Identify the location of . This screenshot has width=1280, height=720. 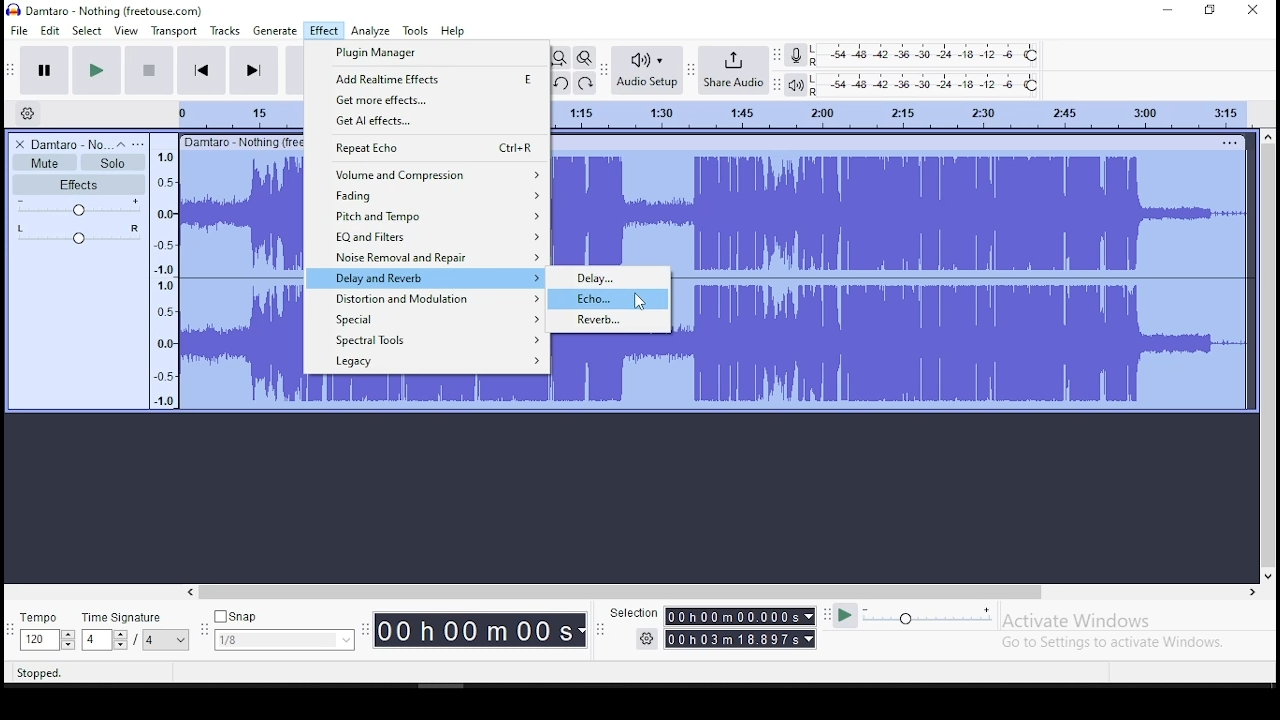
(600, 630).